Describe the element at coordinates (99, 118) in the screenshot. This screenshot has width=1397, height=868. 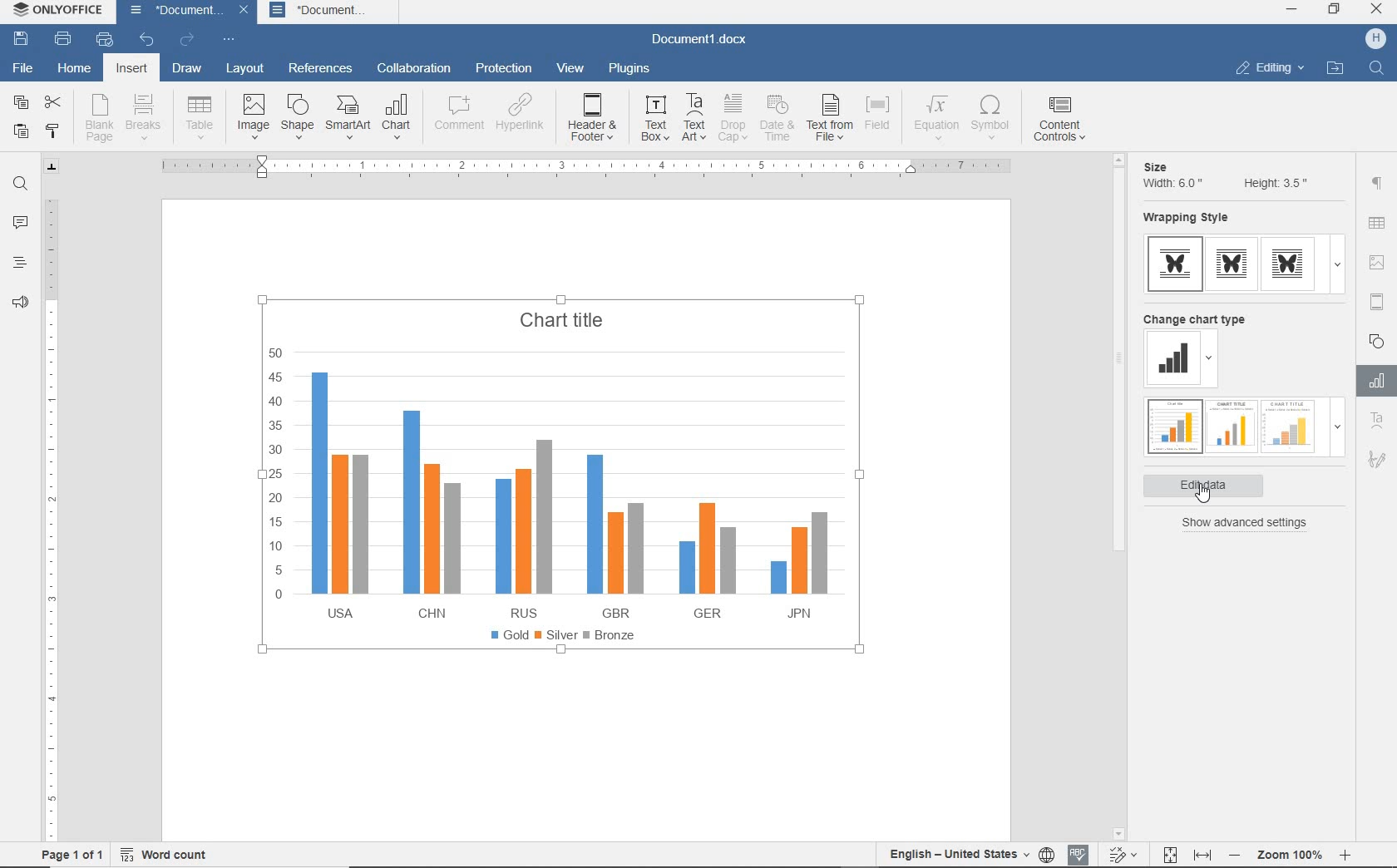
I see `blank page` at that location.